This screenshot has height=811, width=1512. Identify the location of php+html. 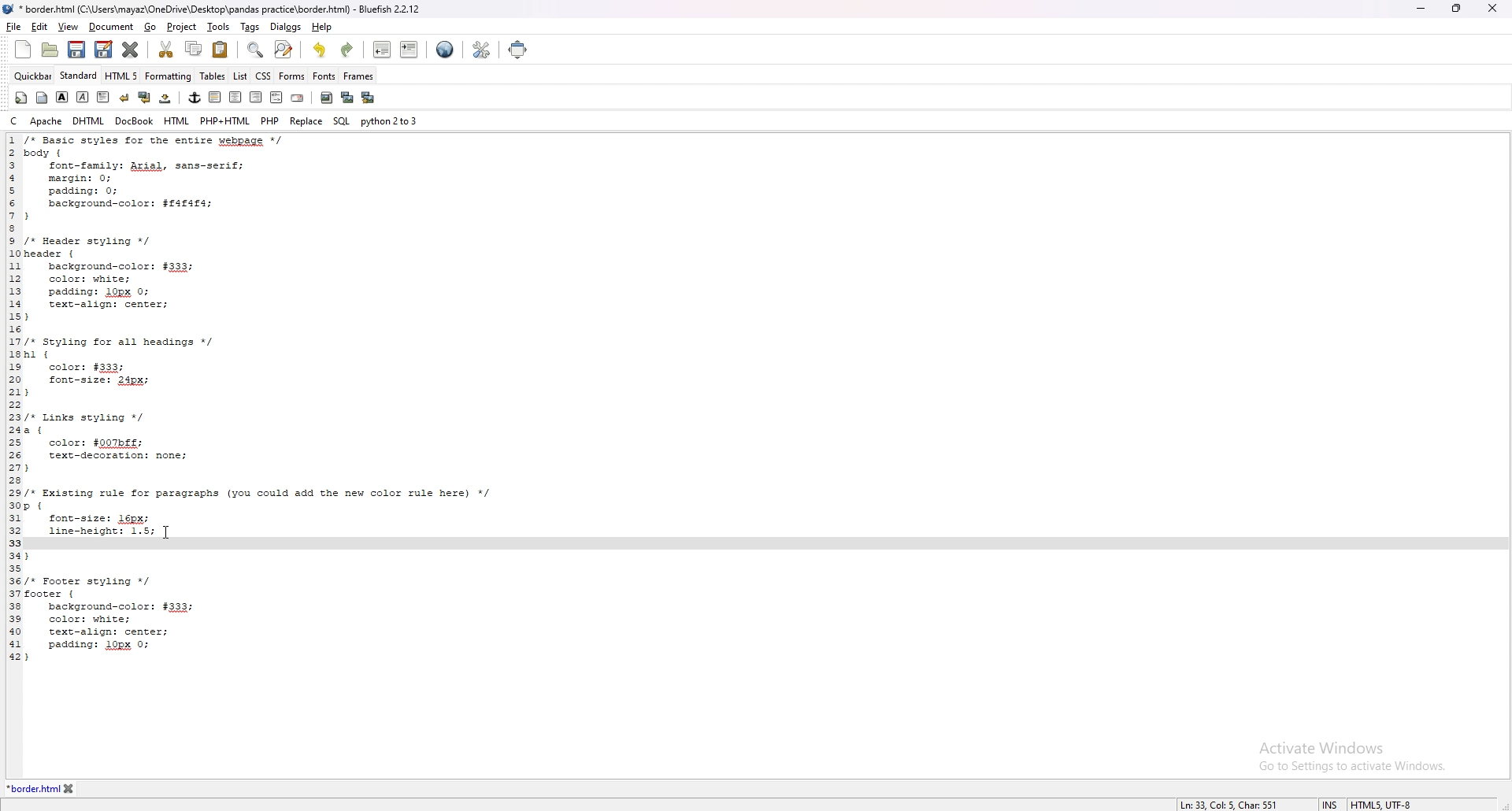
(224, 120).